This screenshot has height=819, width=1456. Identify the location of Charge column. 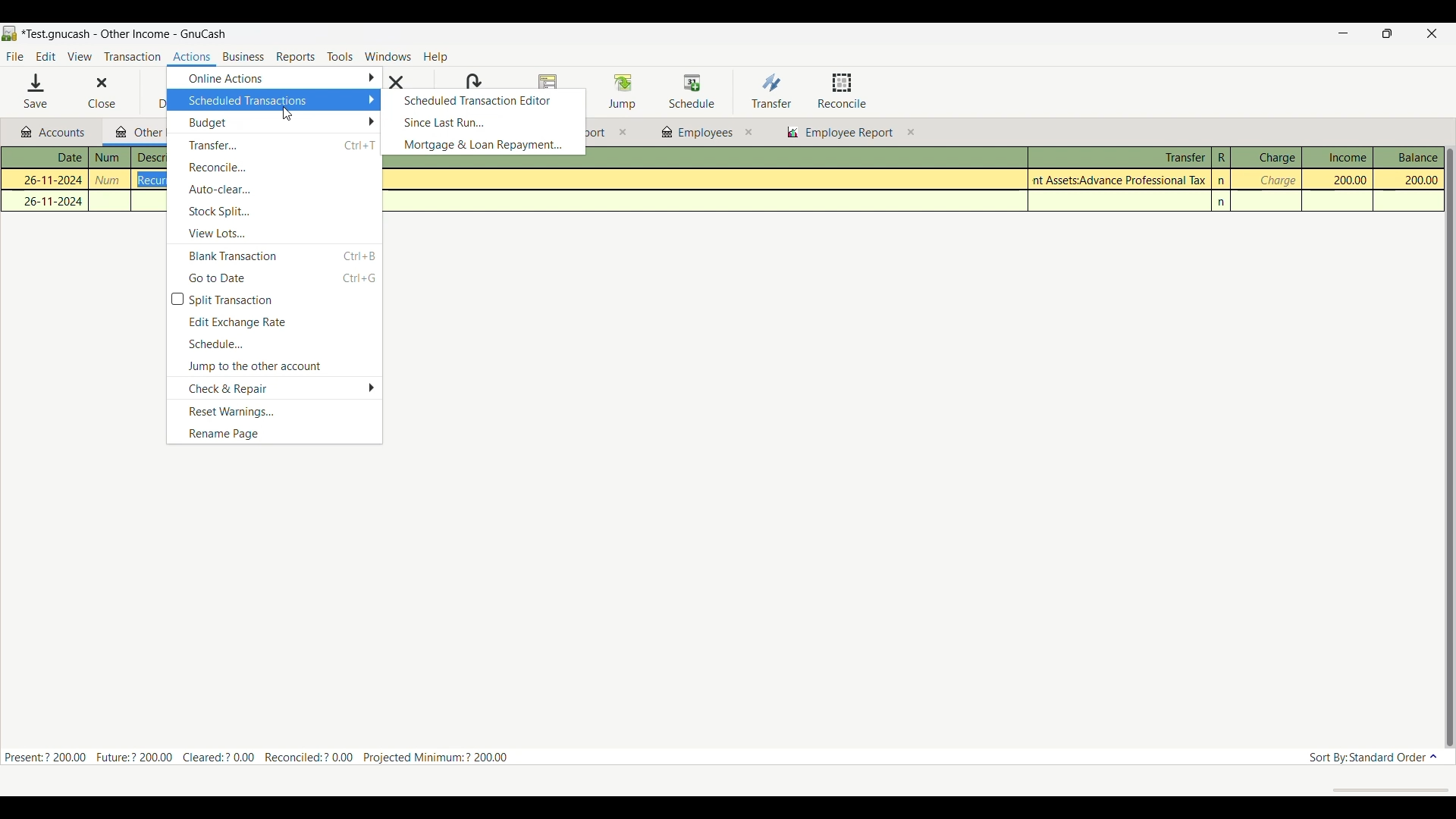
(1266, 158).